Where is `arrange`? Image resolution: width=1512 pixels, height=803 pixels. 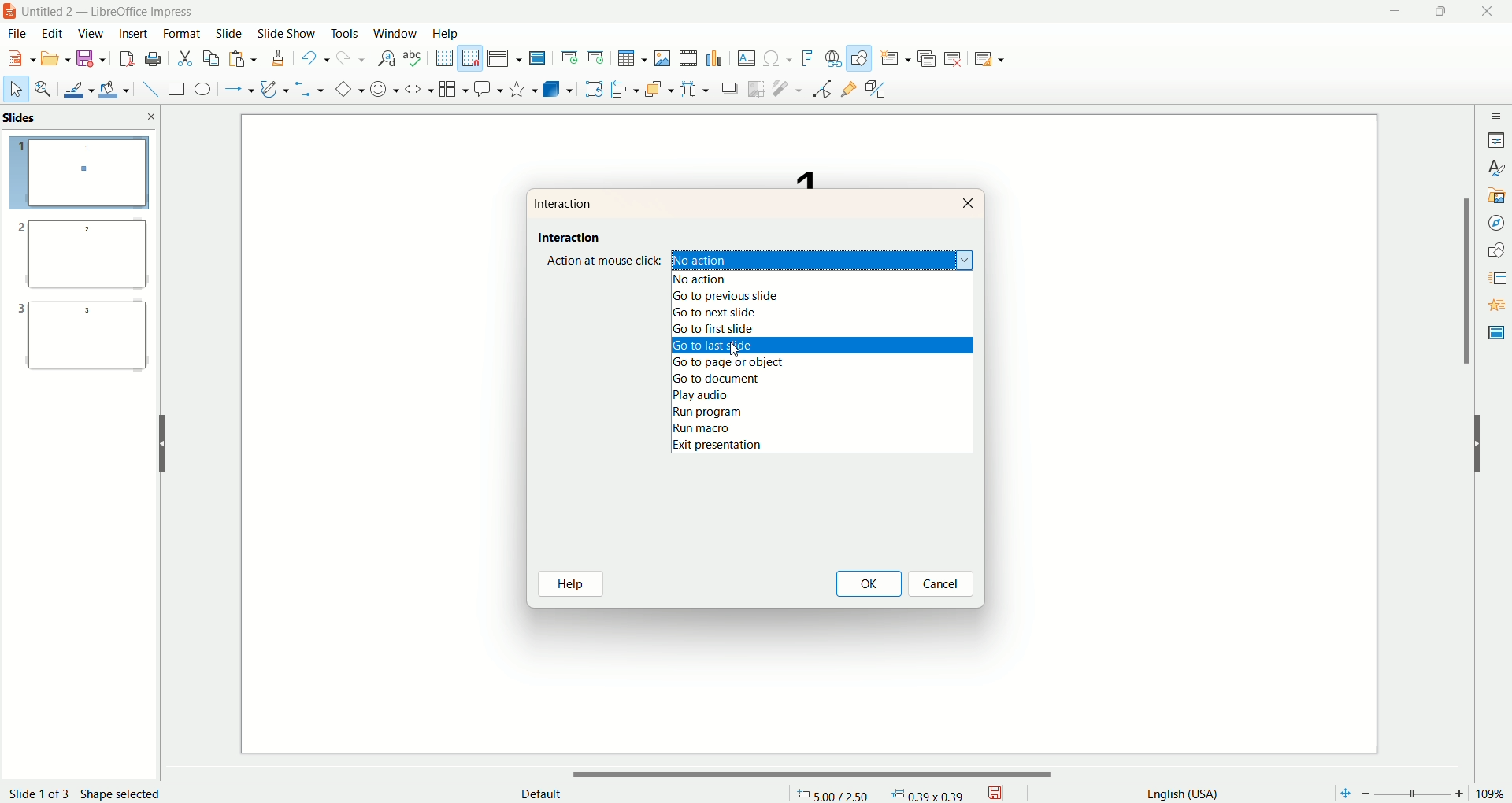 arrange is located at coordinates (654, 87).